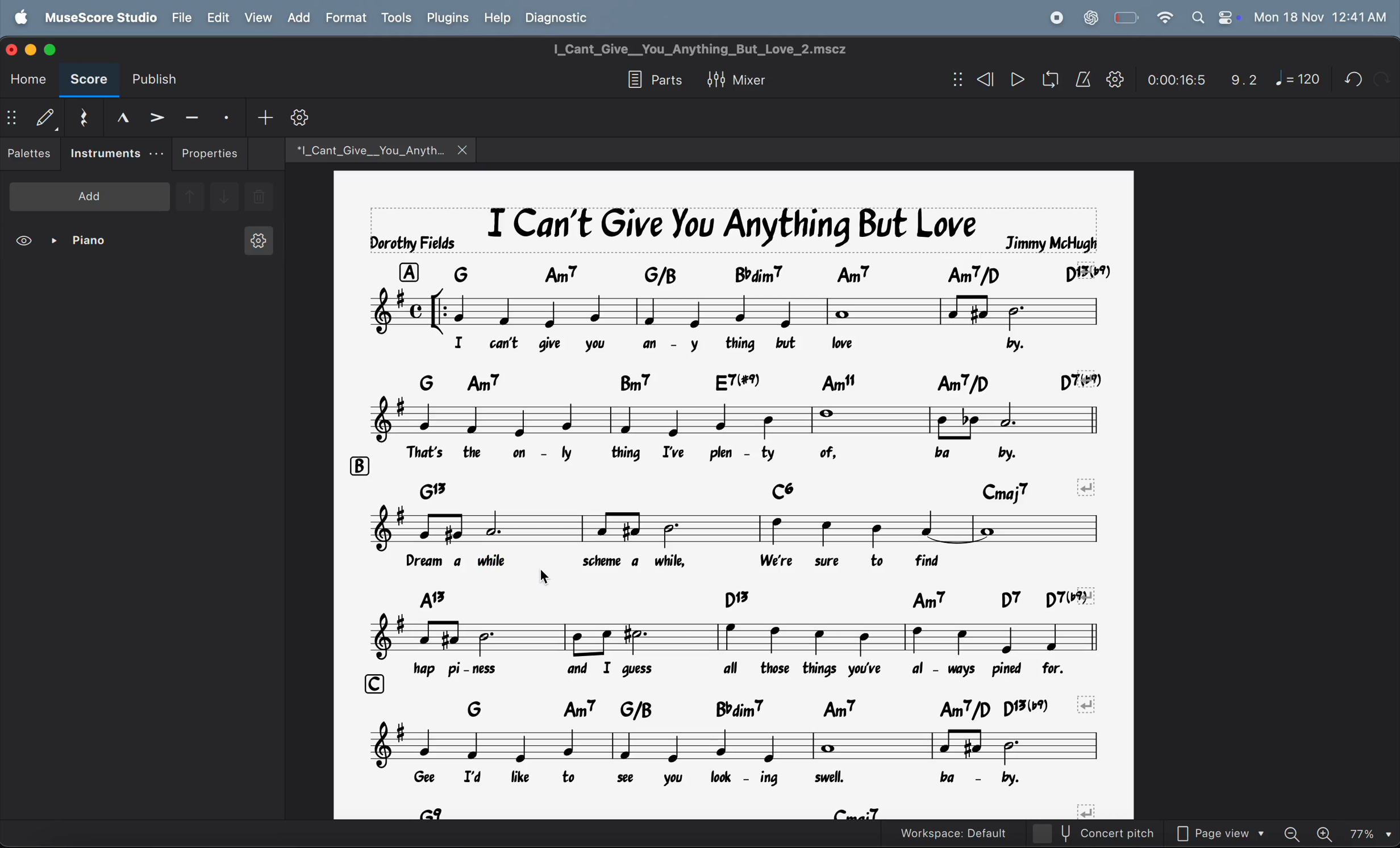 The image size is (1400, 848). What do you see at coordinates (697, 47) in the screenshot?
I see `page title` at bounding box center [697, 47].